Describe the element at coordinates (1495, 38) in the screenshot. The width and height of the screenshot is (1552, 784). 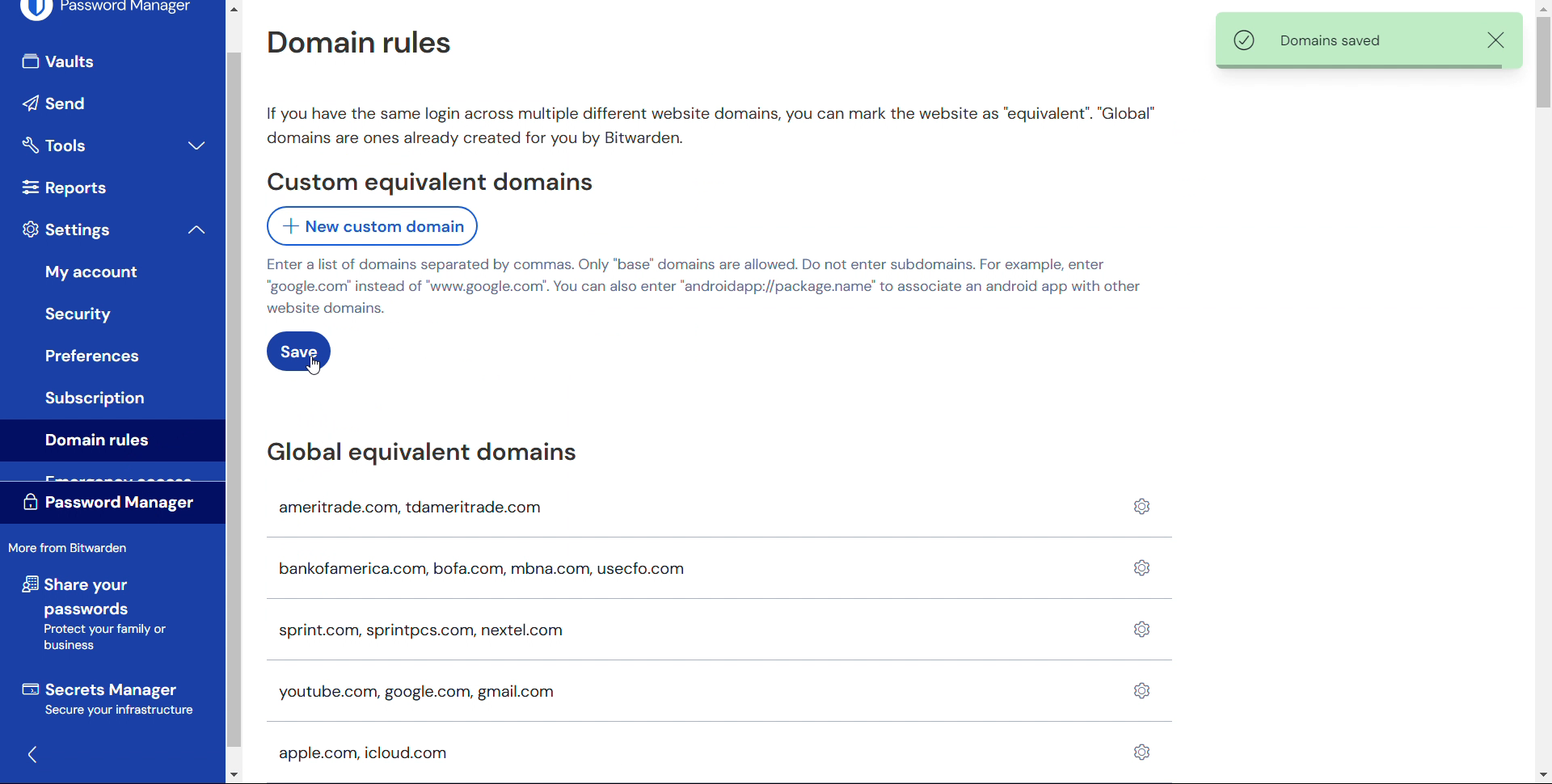
I see `Remove notification ` at that location.